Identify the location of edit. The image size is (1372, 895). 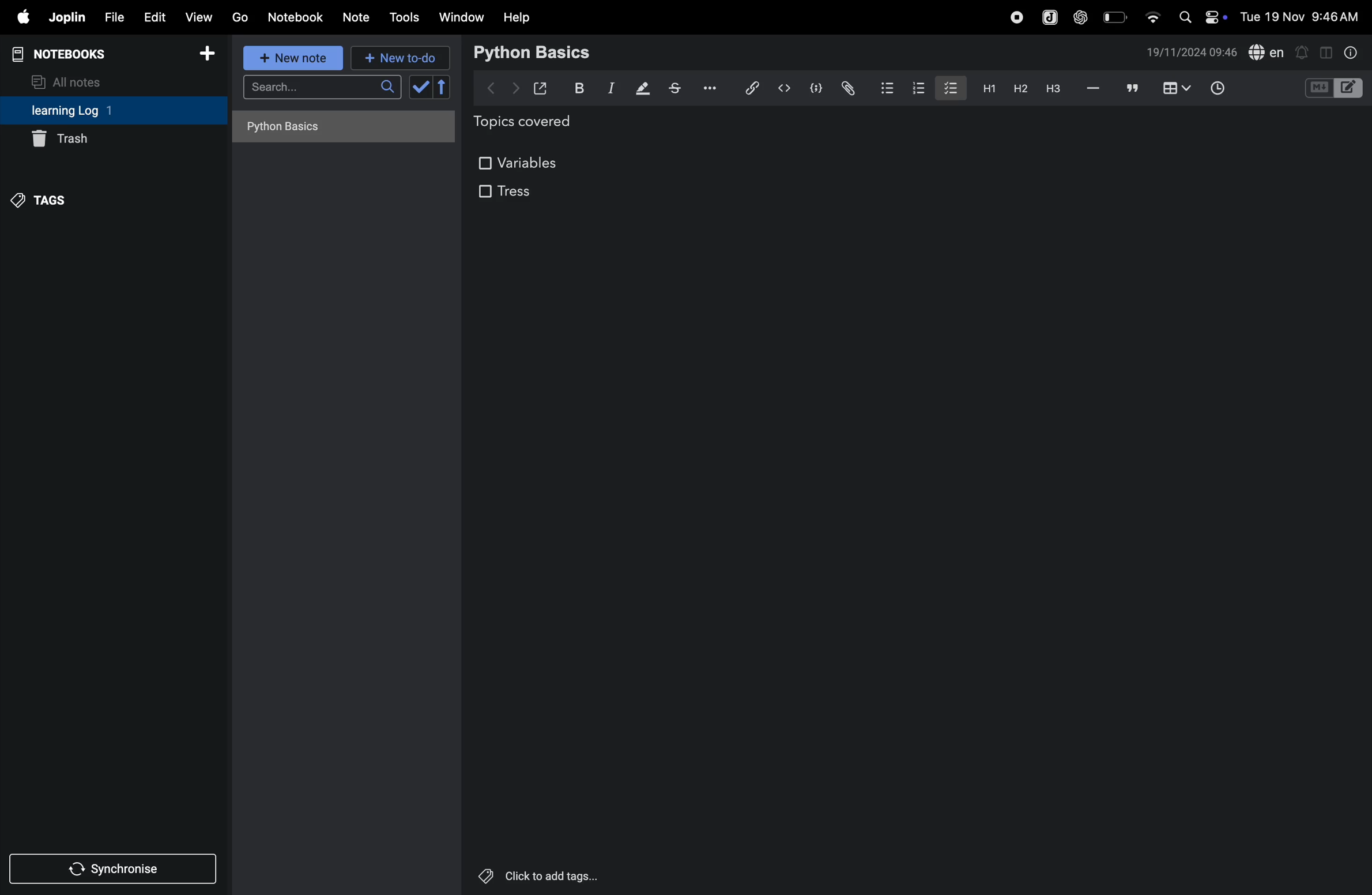
(153, 17).